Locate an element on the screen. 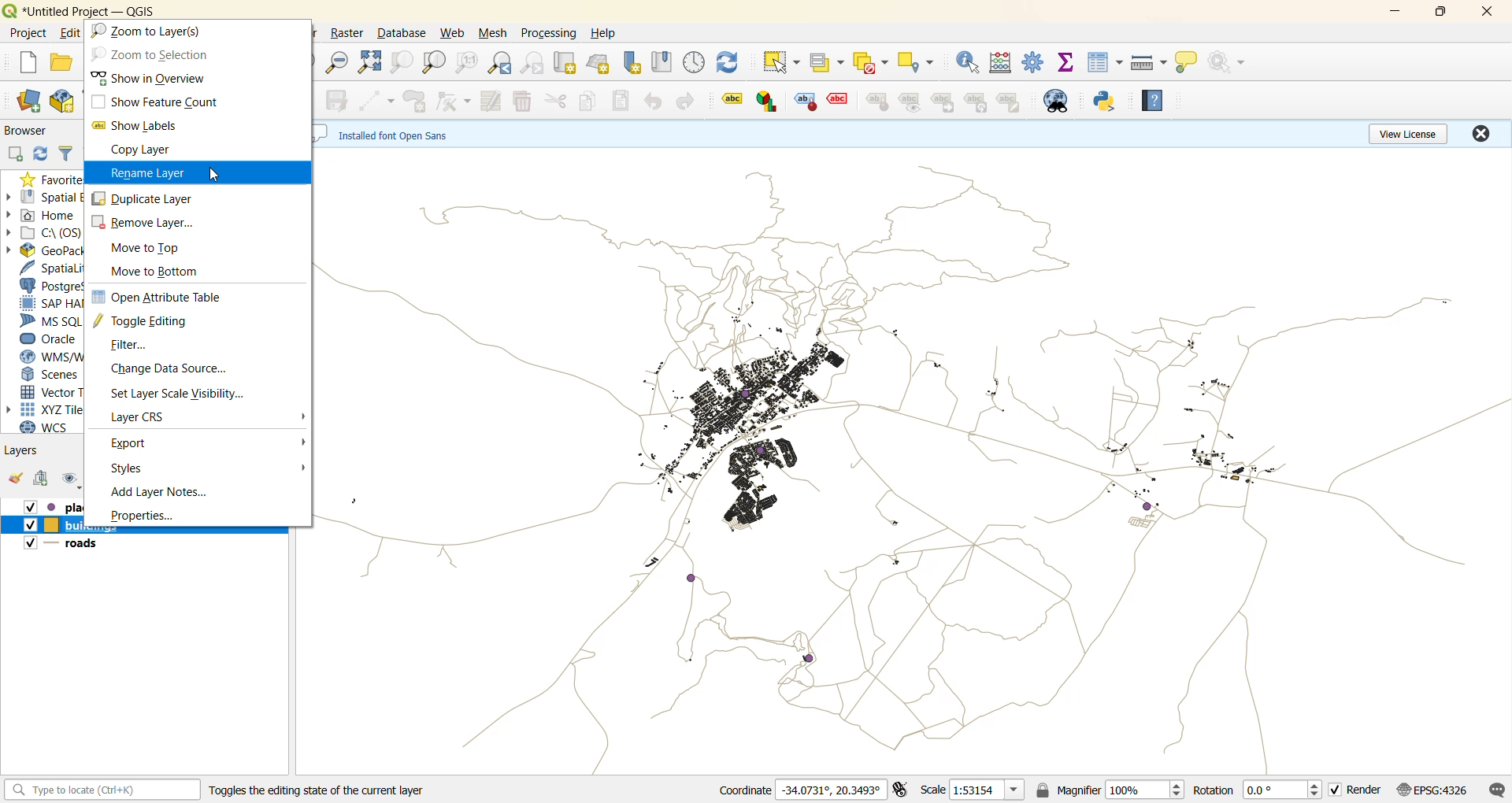 The height and width of the screenshot is (803, 1512). layer crs is located at coordinates (153, 418).